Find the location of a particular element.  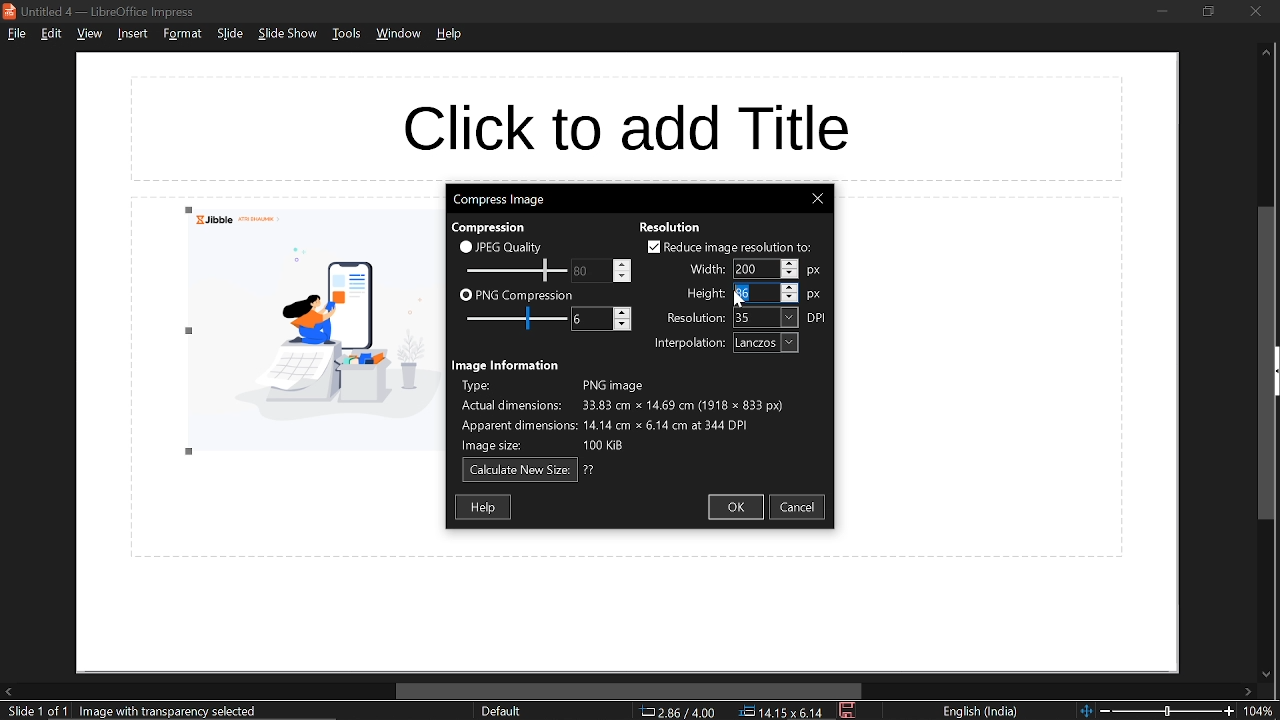

JPEG quality is located at coordinates (506, 246).